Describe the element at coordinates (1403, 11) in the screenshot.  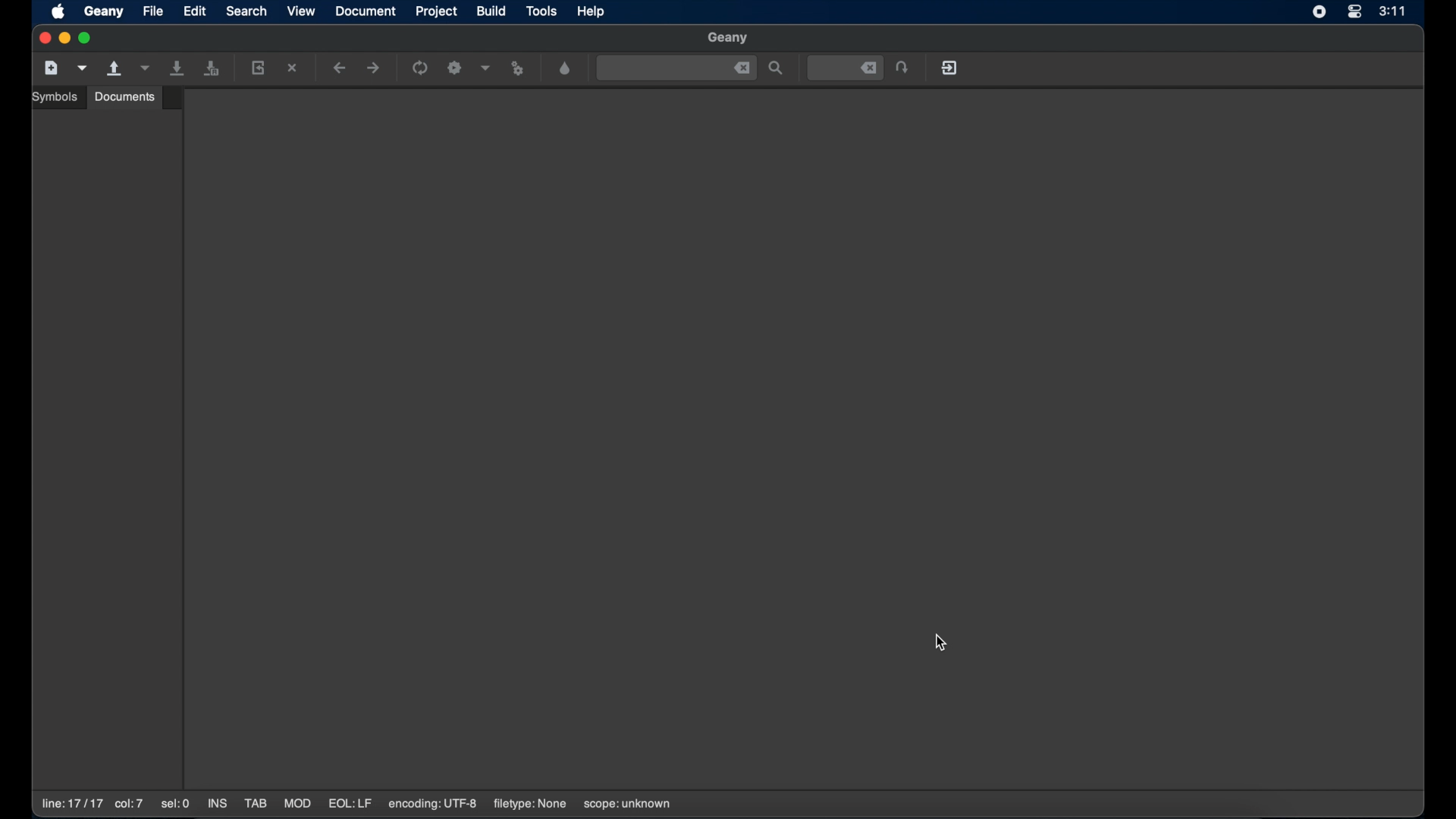
I see `3:11` at that location.